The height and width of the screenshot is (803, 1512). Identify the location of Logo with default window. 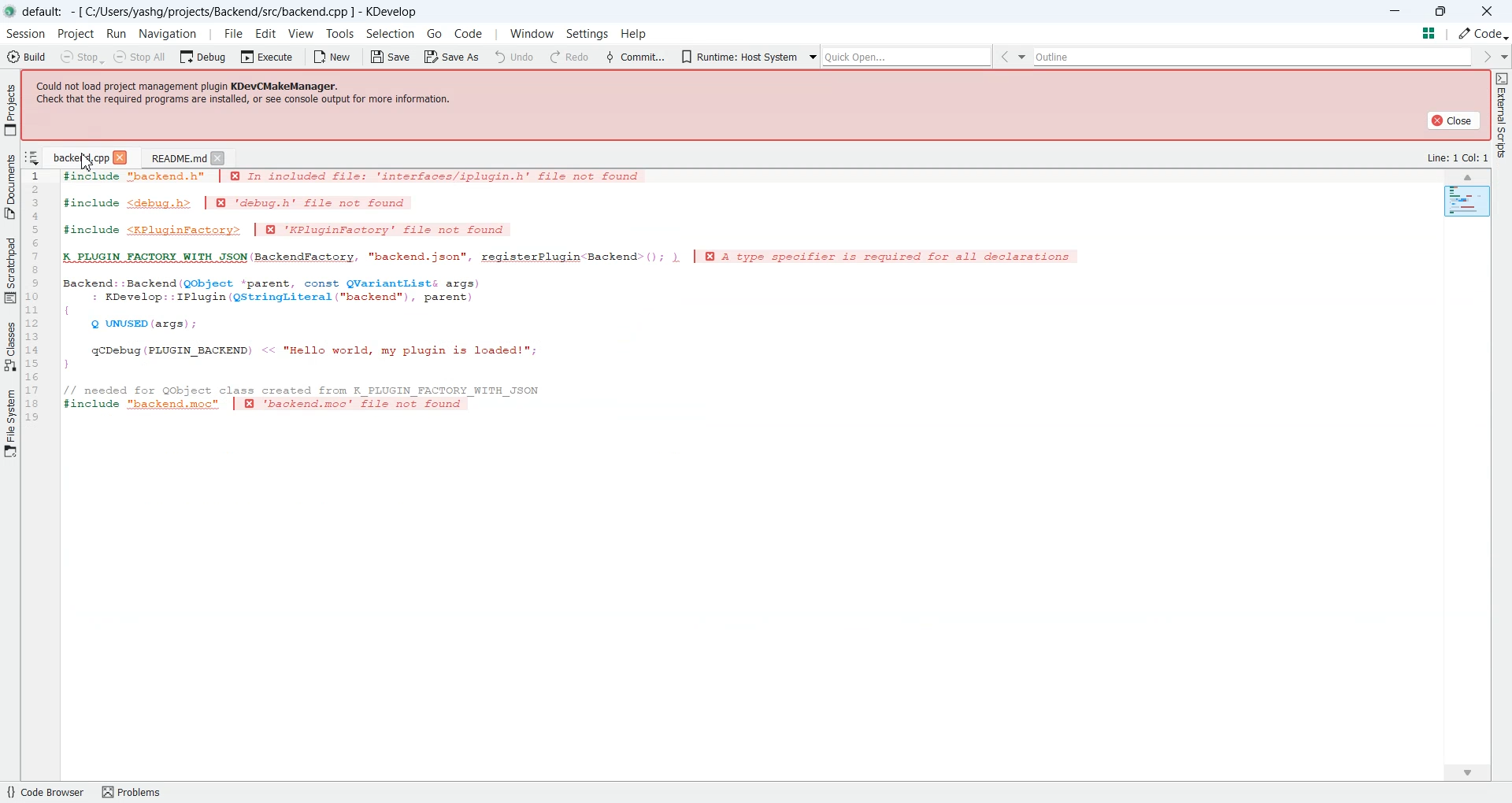
(202, 11).